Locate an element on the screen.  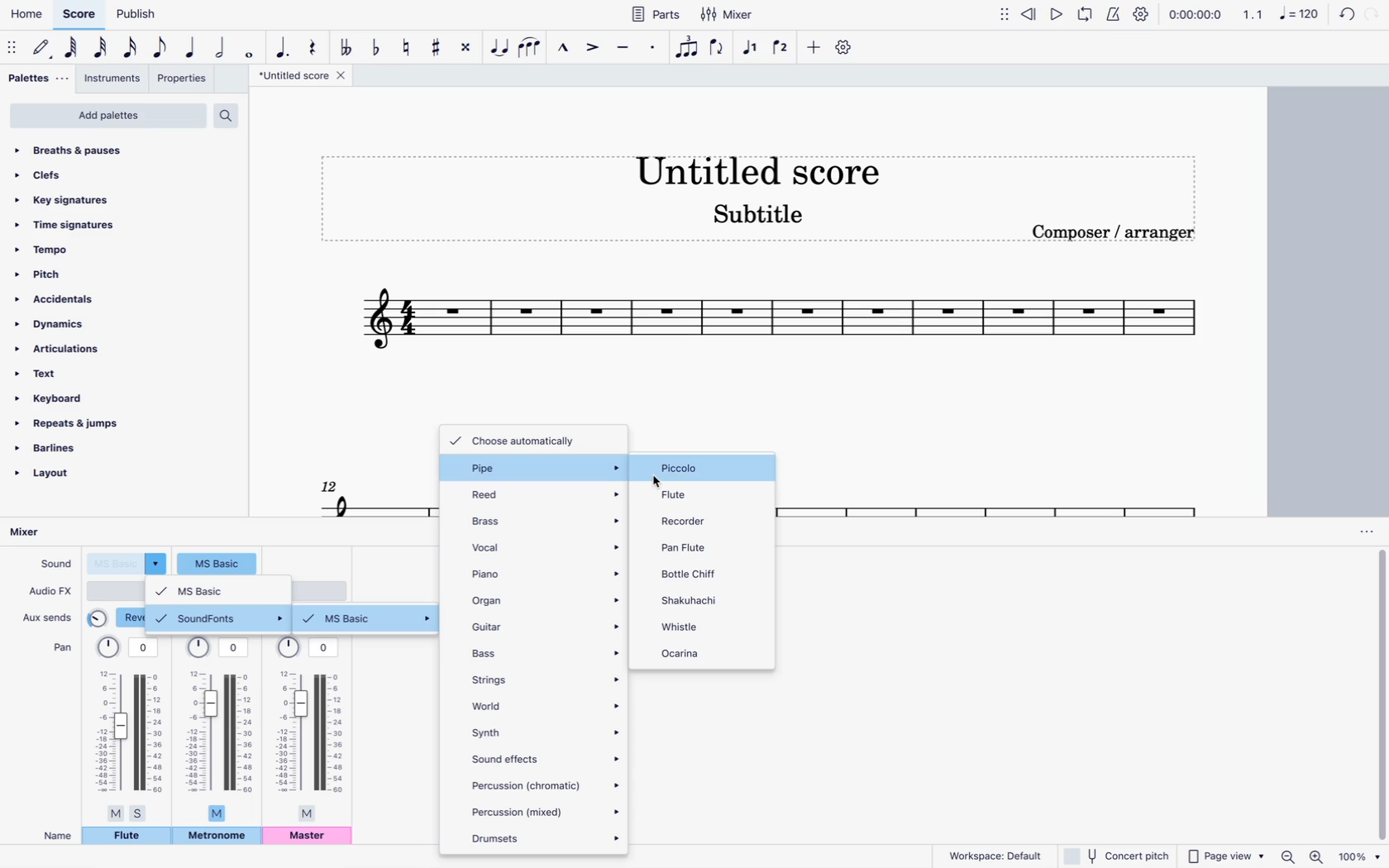
mixer is located at coordinates (39, 533).